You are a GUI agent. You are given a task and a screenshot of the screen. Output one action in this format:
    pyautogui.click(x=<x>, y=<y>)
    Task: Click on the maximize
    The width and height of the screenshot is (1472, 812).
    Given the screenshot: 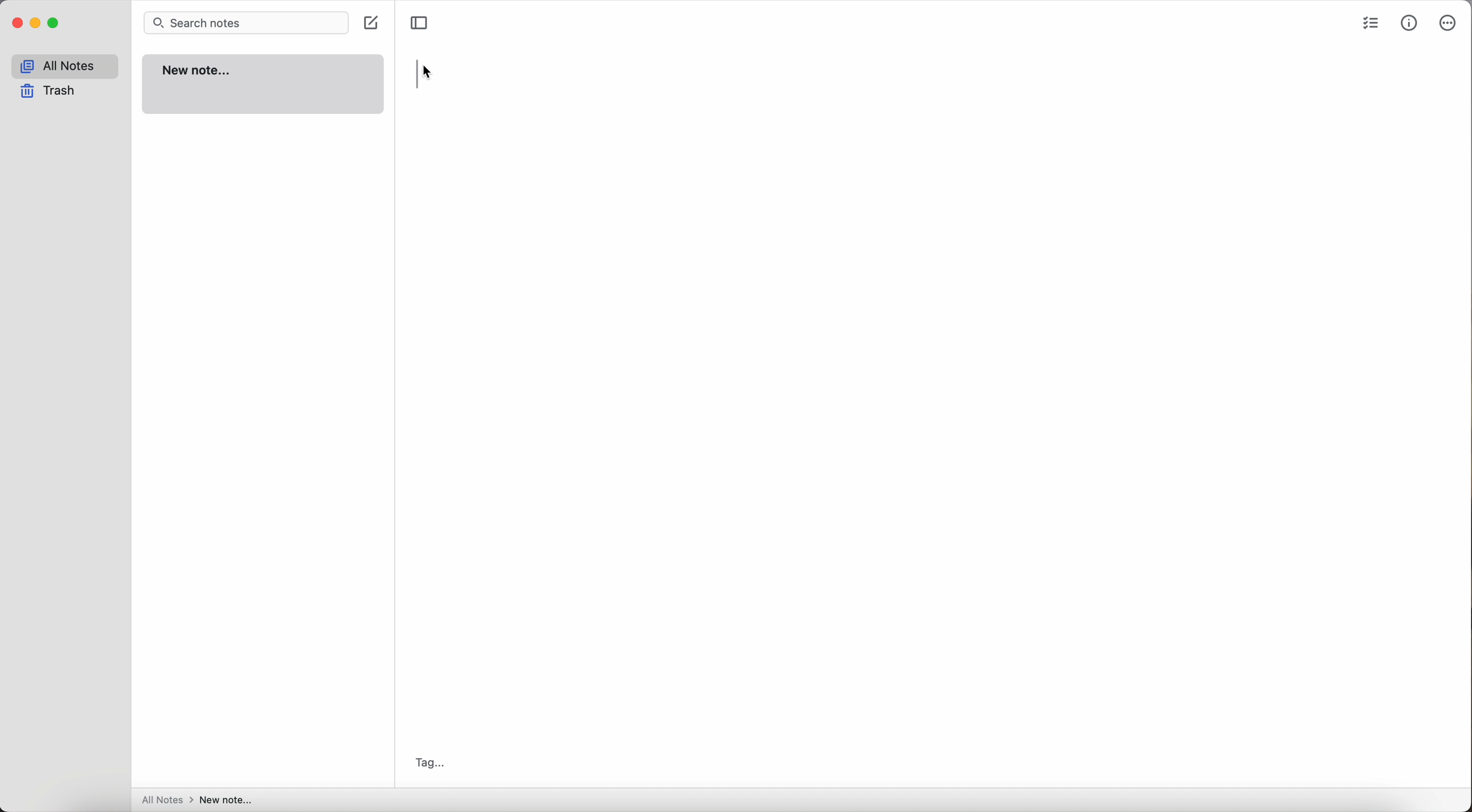 What is the action you would take?
    pyautogui.click(x=55, y=23)
    